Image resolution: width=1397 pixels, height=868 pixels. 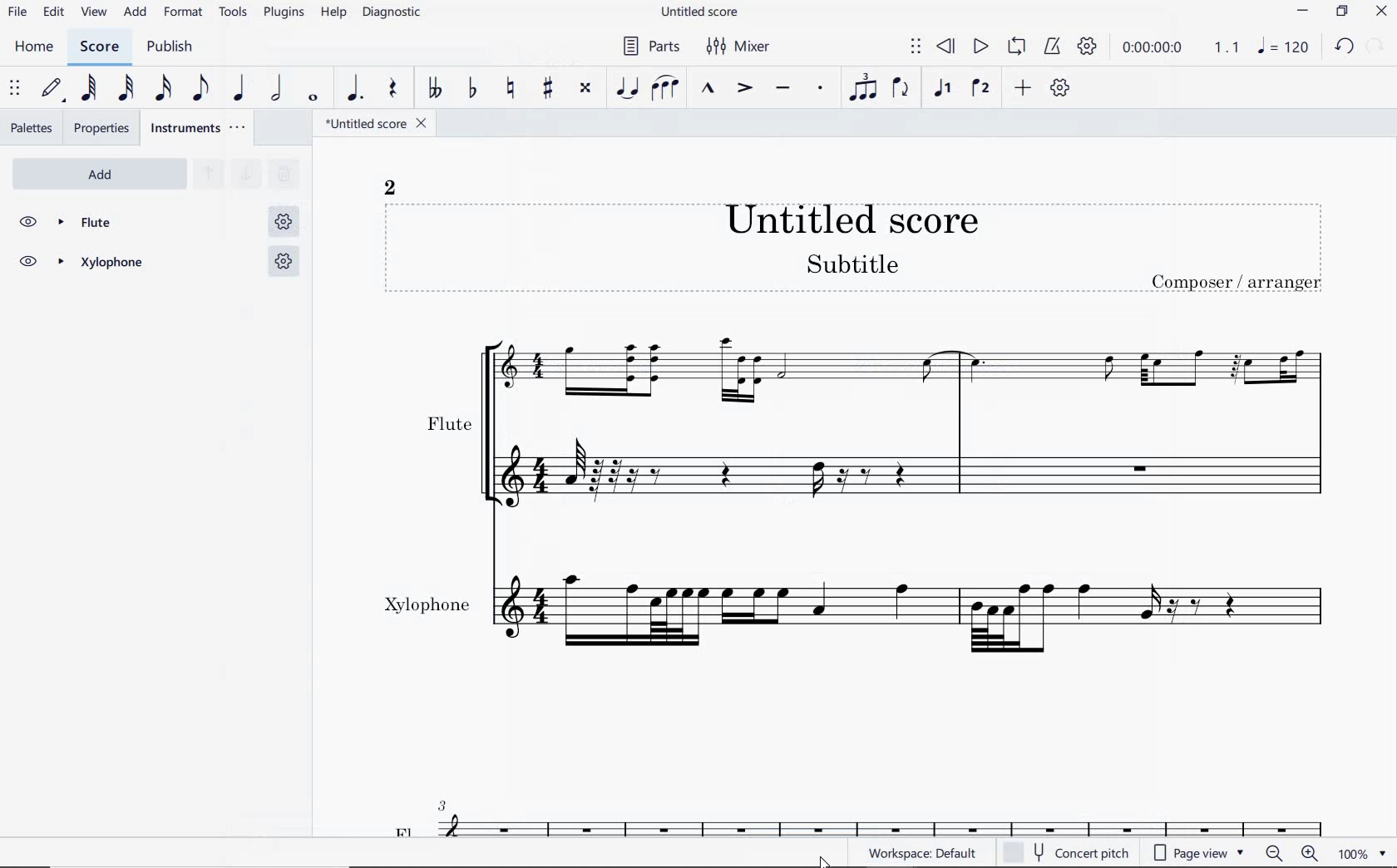 What do you see at coordinates (1052, 47) in the screenshot?
I see `METRONOME` at bounding box center [1052, 47].